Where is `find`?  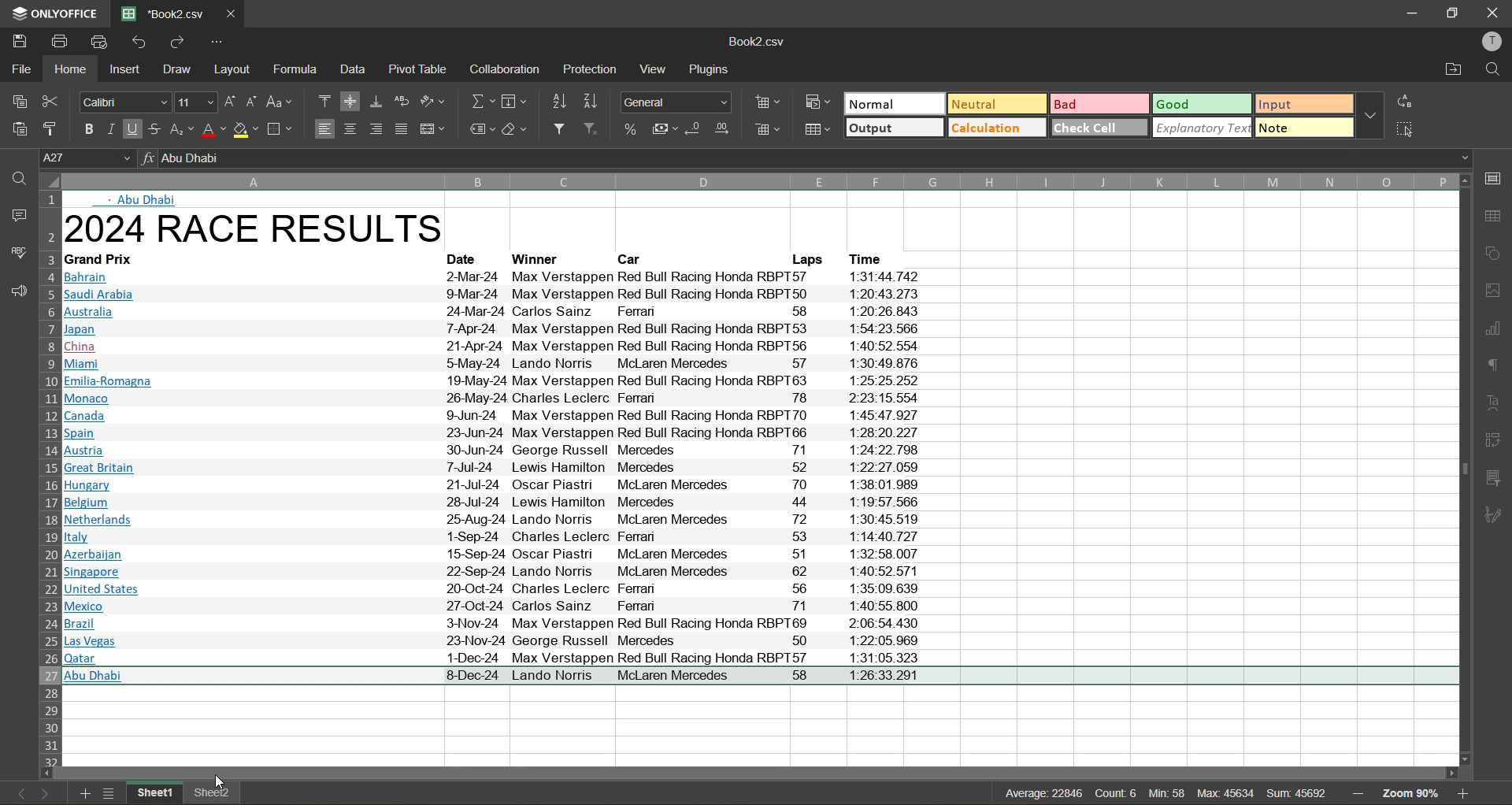
find is located at coordinates (1494, 70).